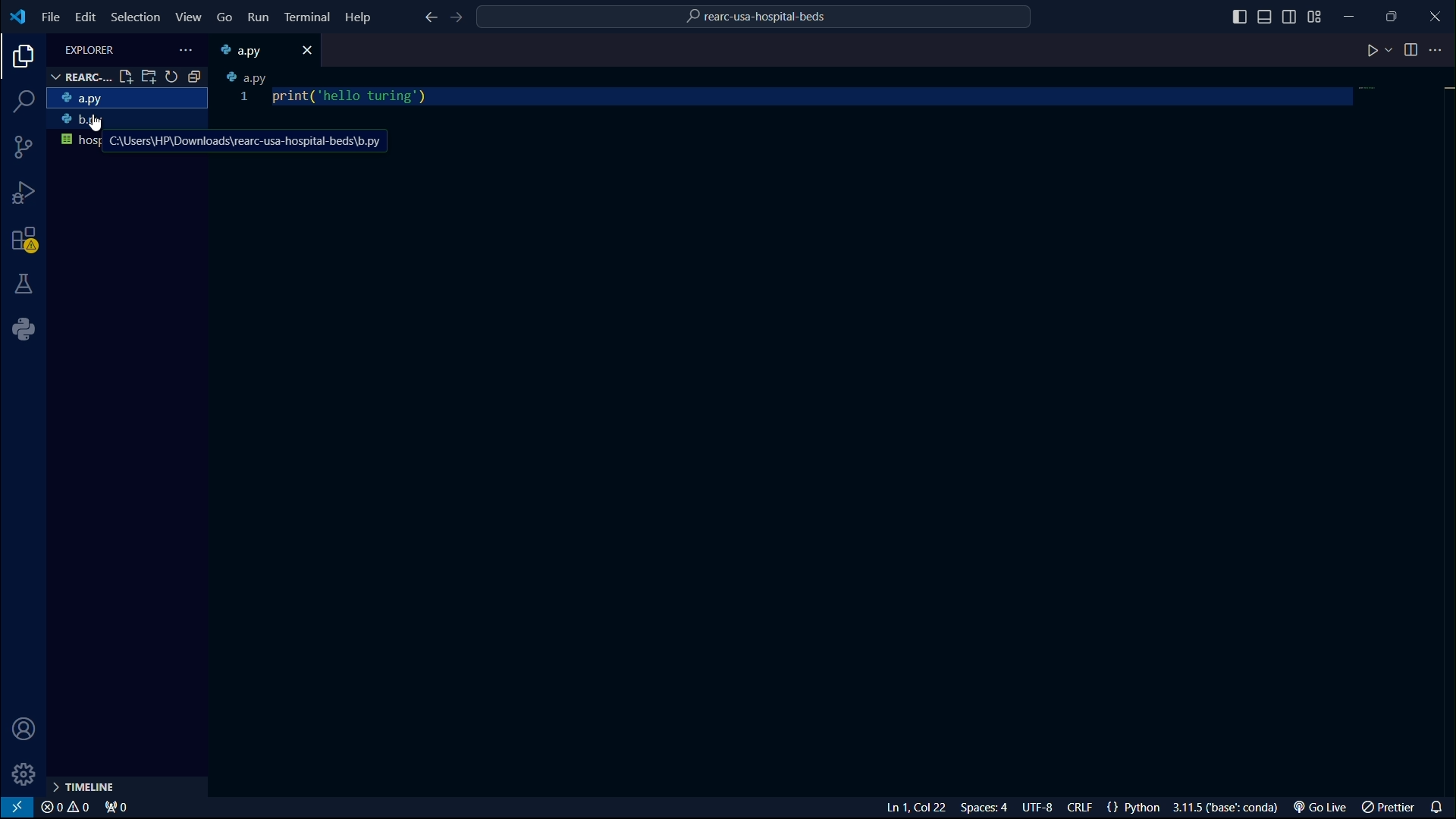  I want to click on maximize or restore, so click(1399, 16).